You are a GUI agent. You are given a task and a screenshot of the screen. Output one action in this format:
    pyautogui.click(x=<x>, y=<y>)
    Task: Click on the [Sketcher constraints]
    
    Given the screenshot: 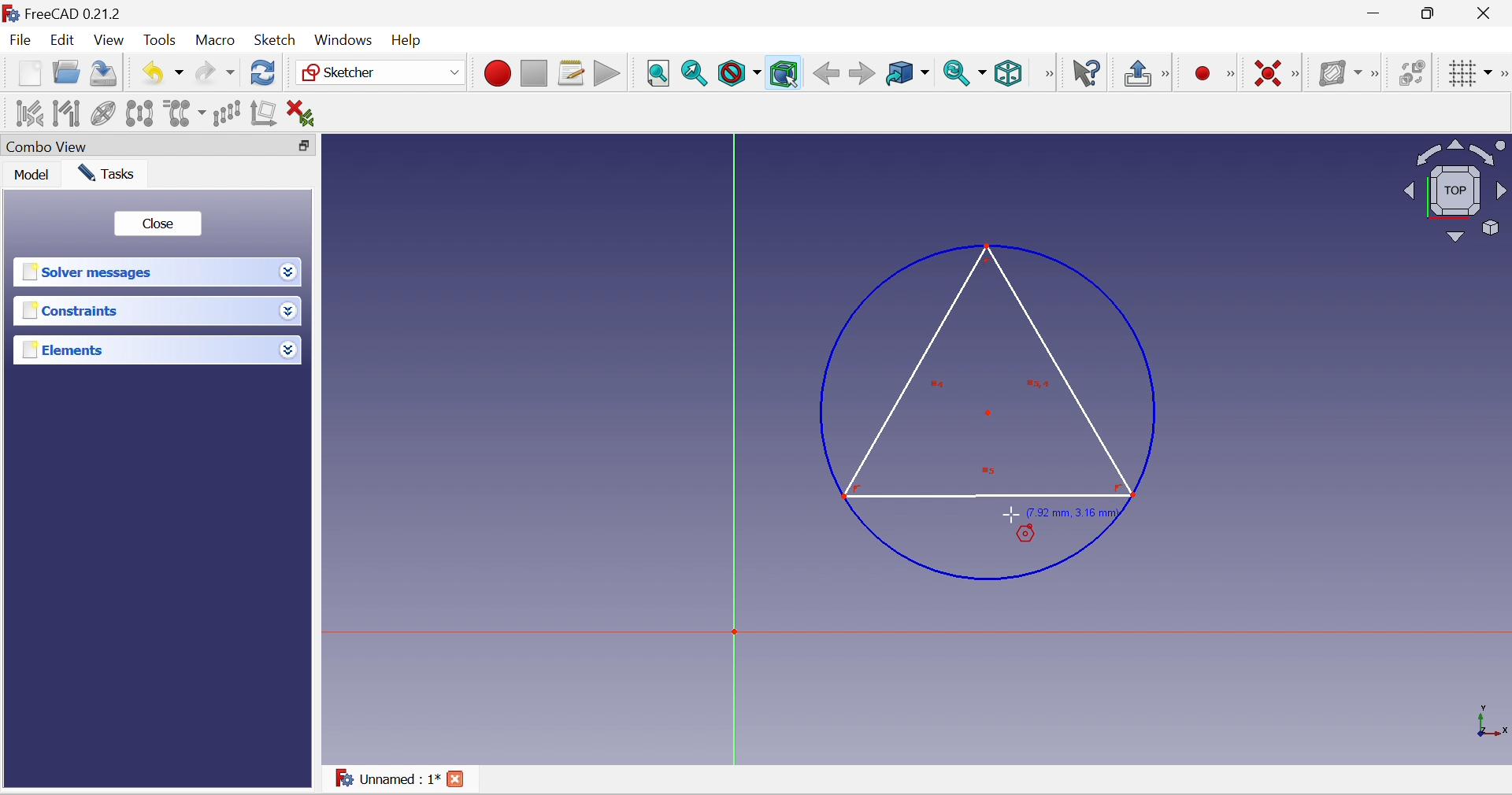 What is the action you would take?
    pyautogui.click(x=1295, y=75)
    